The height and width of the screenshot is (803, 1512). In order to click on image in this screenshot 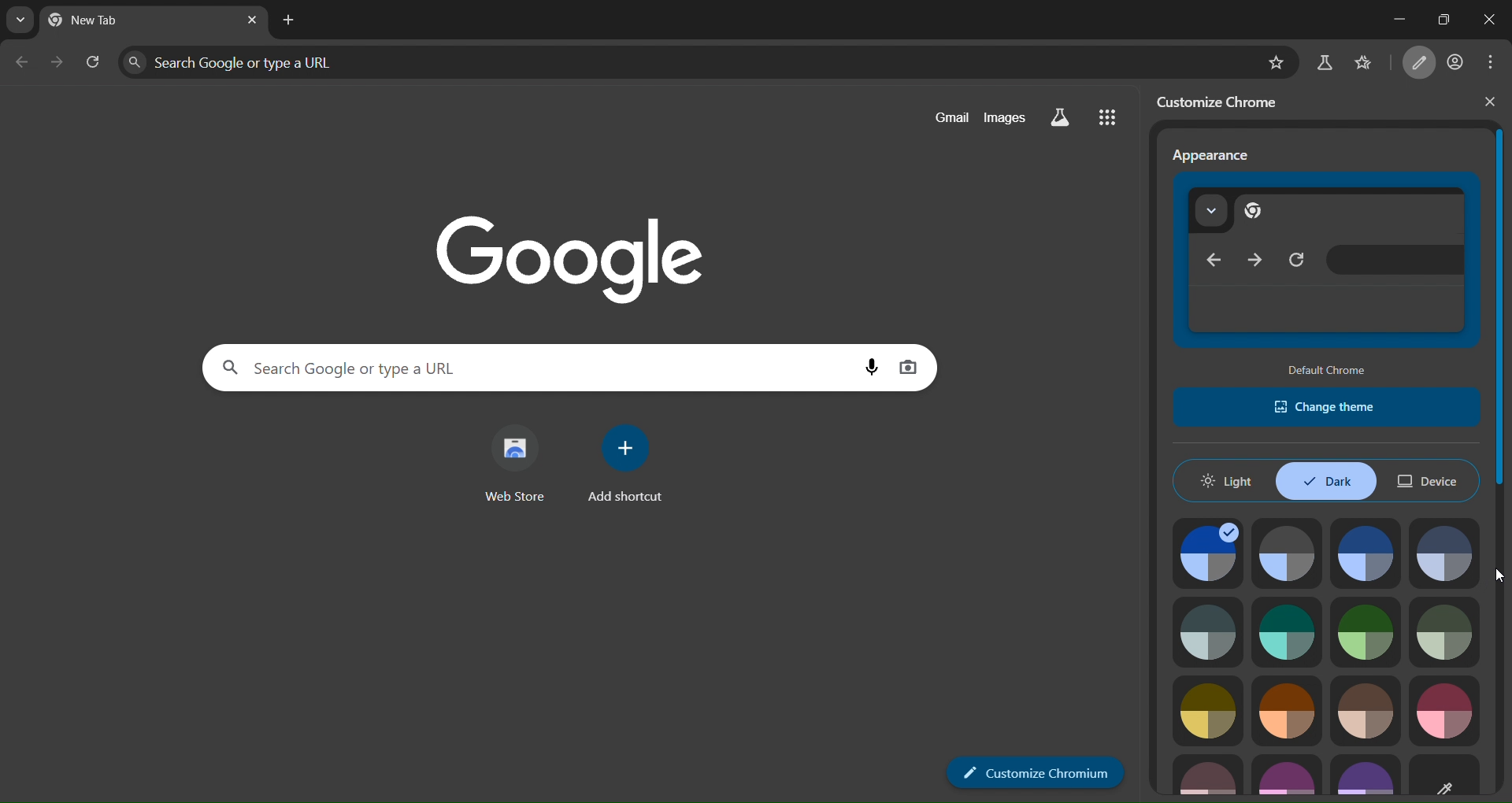, I will do `click(1209, 553)`.